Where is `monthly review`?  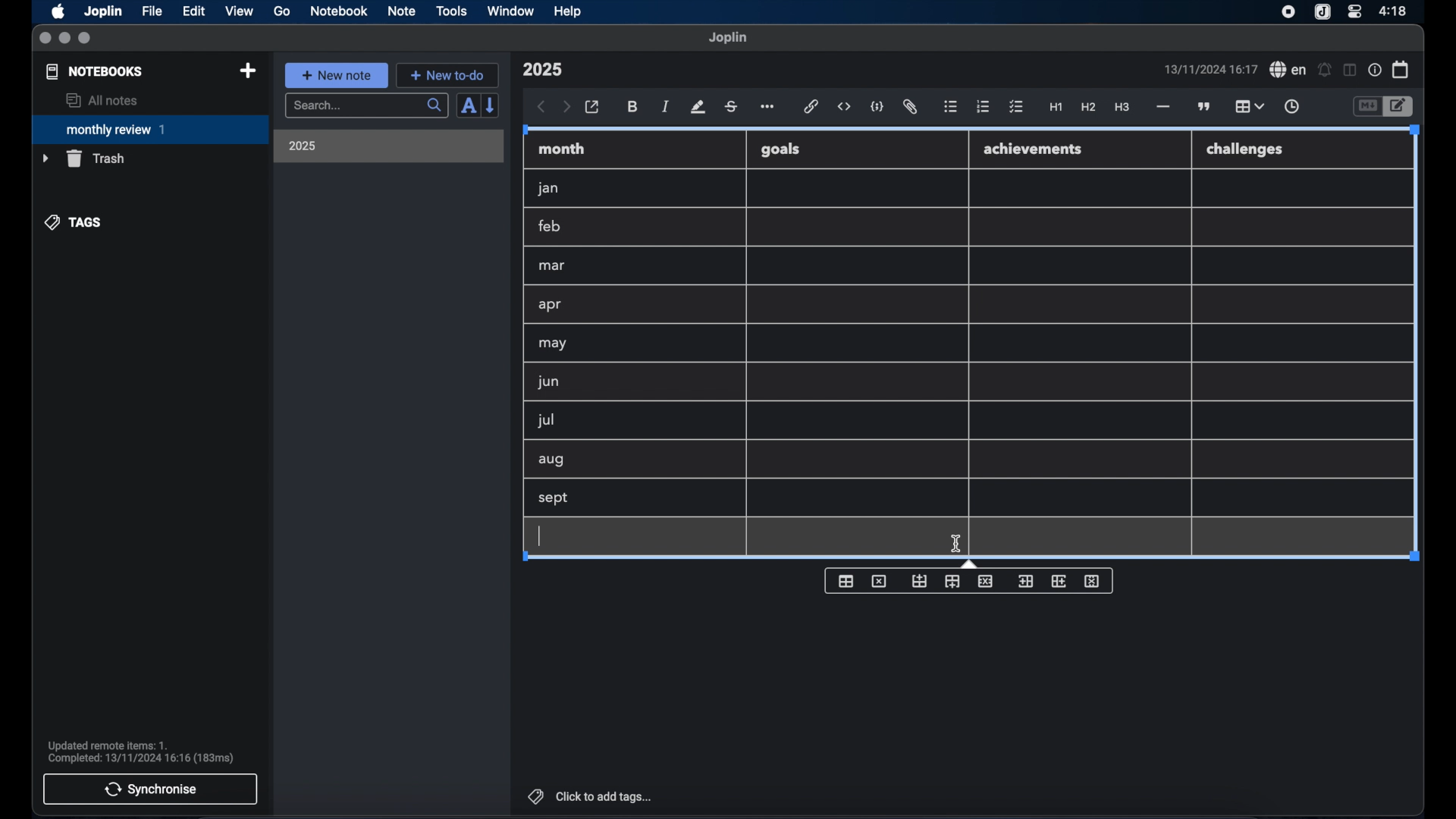 monthly review is located at coordinates (150, 128).